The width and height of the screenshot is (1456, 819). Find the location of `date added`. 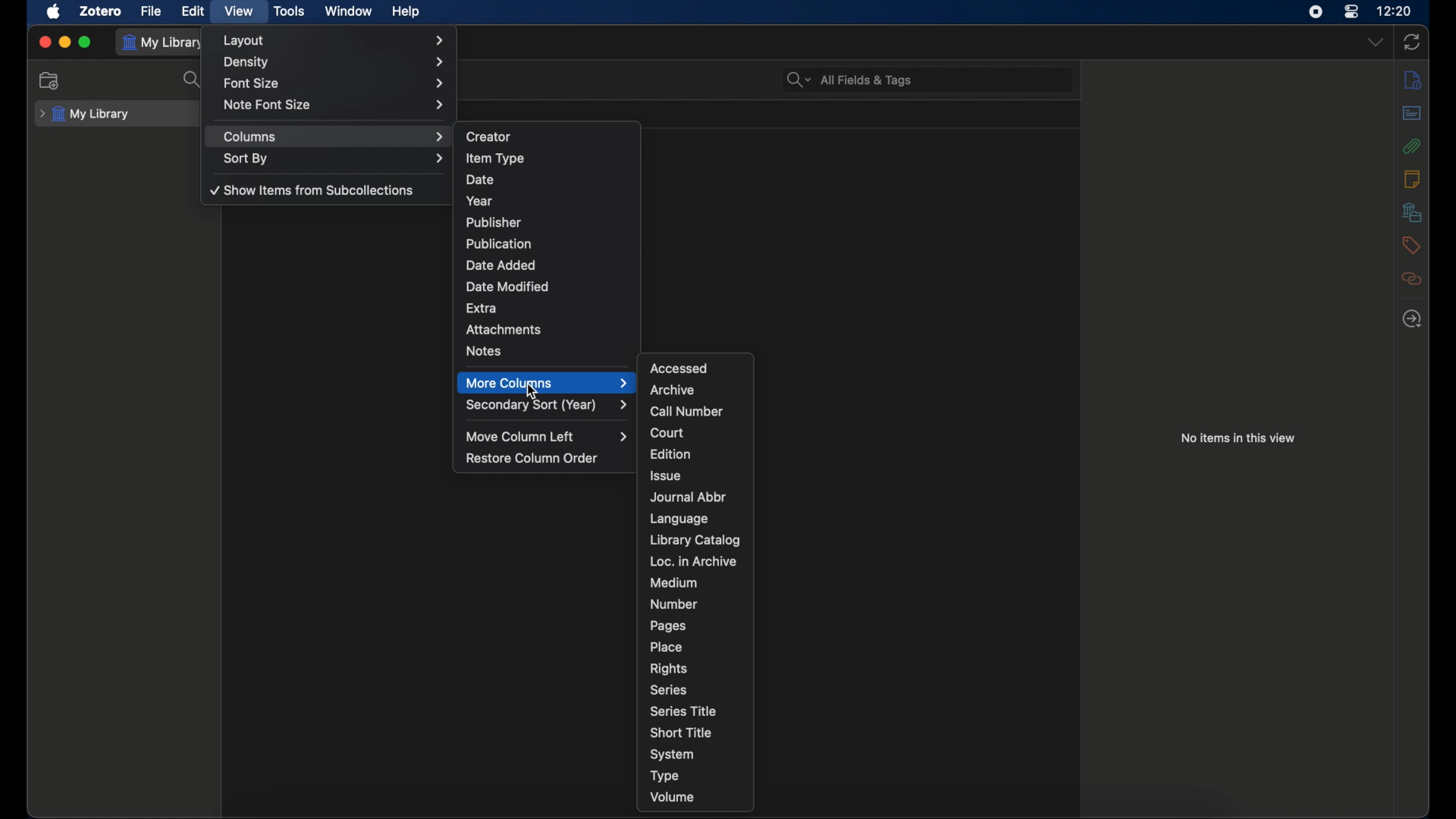

date added is located at coordinates (500, 265).